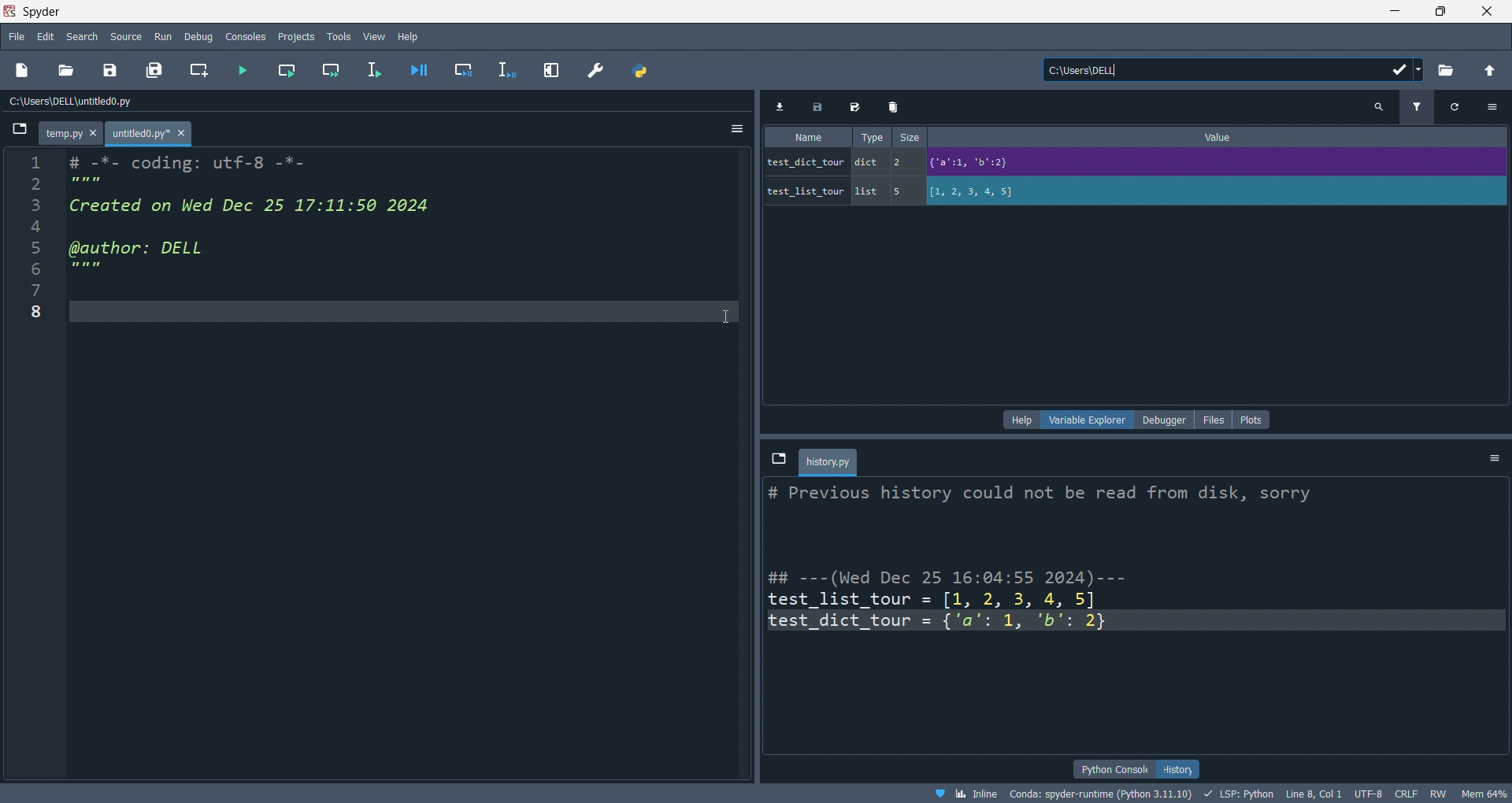  I want to click on view, so click(373, 37).